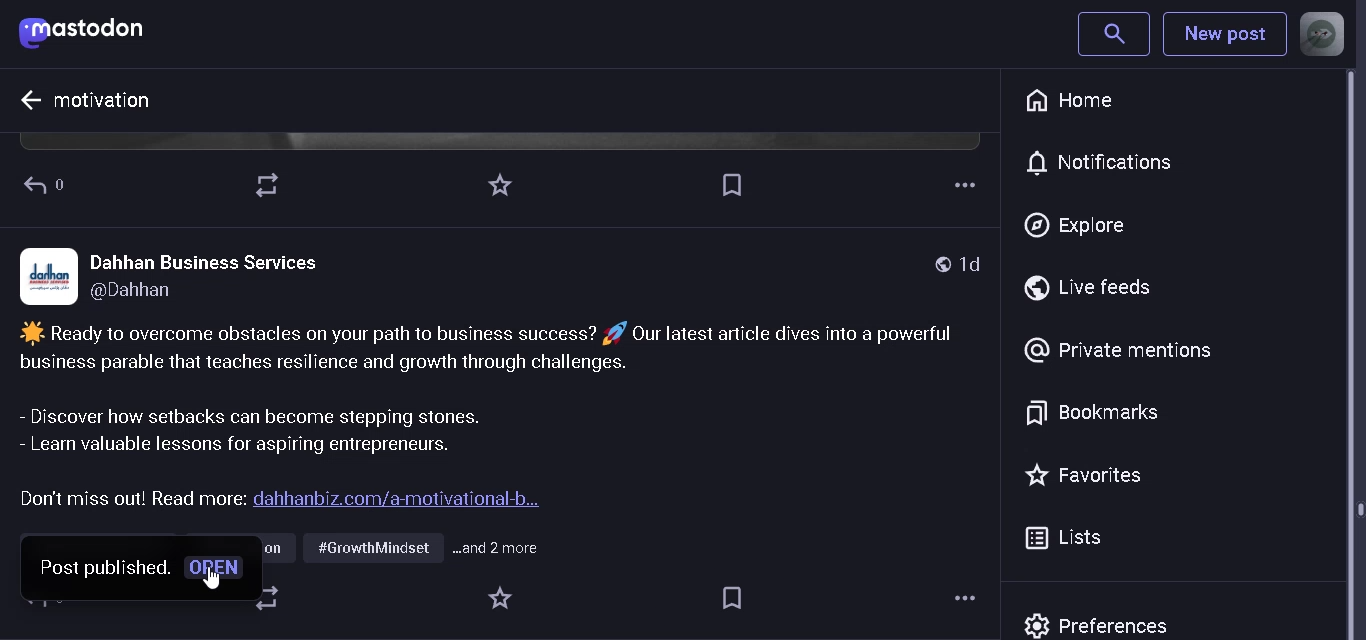  Describe the element at coordinates (20, 100) in the screenshot. I see `Back` at that location.